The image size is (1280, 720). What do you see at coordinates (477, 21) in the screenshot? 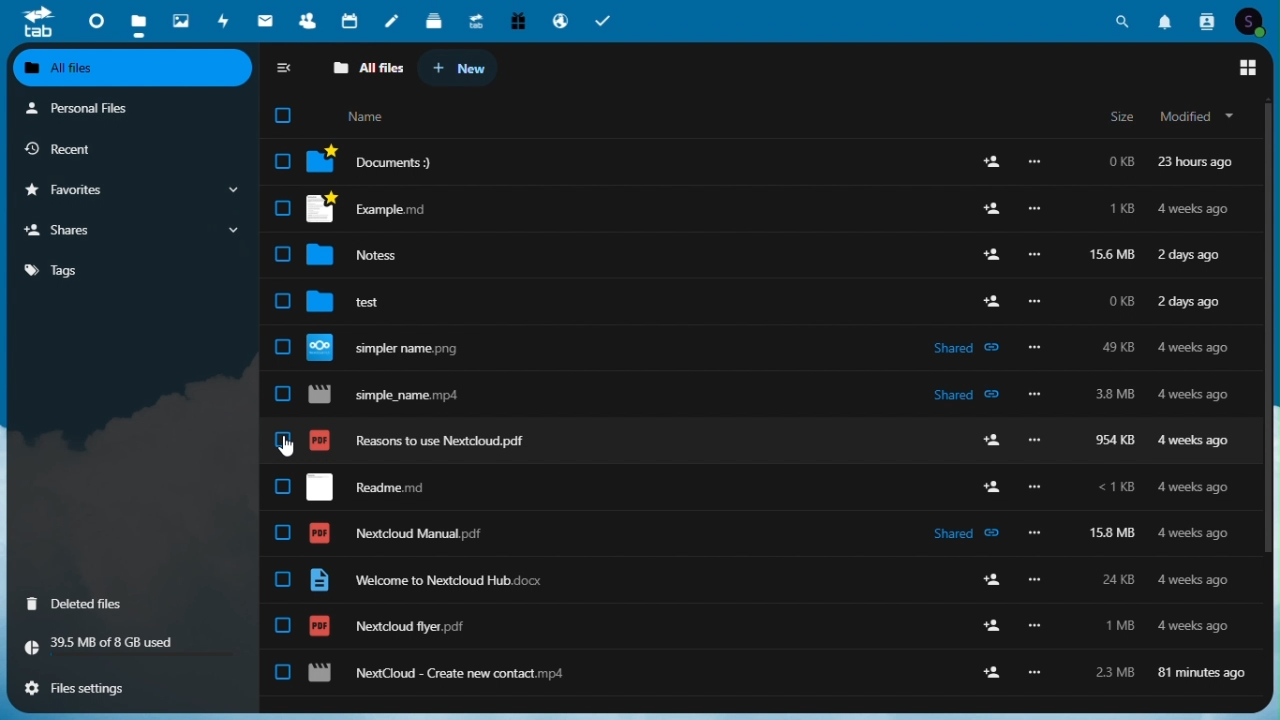
I see `Upgrade` at bounding box center [477, 21].